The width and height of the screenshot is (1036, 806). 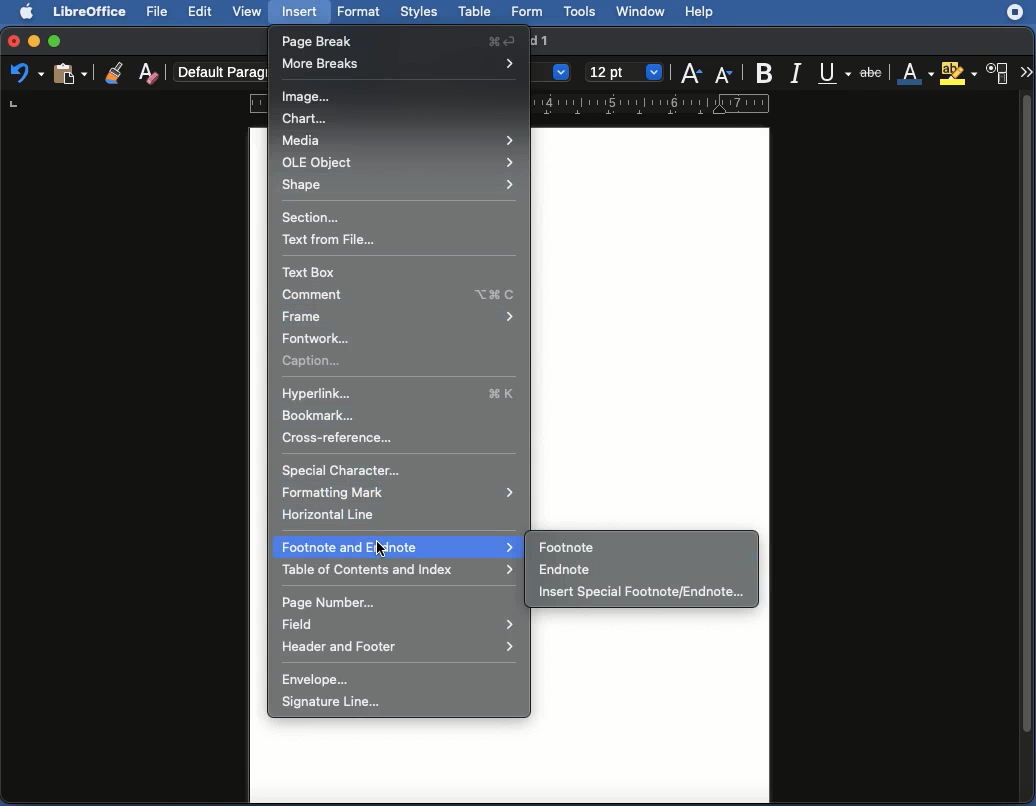 What do you see at coordinates (150, 75) in the screenshot?
I see `Clear direct formatting ` at bounding box center [150, 75].